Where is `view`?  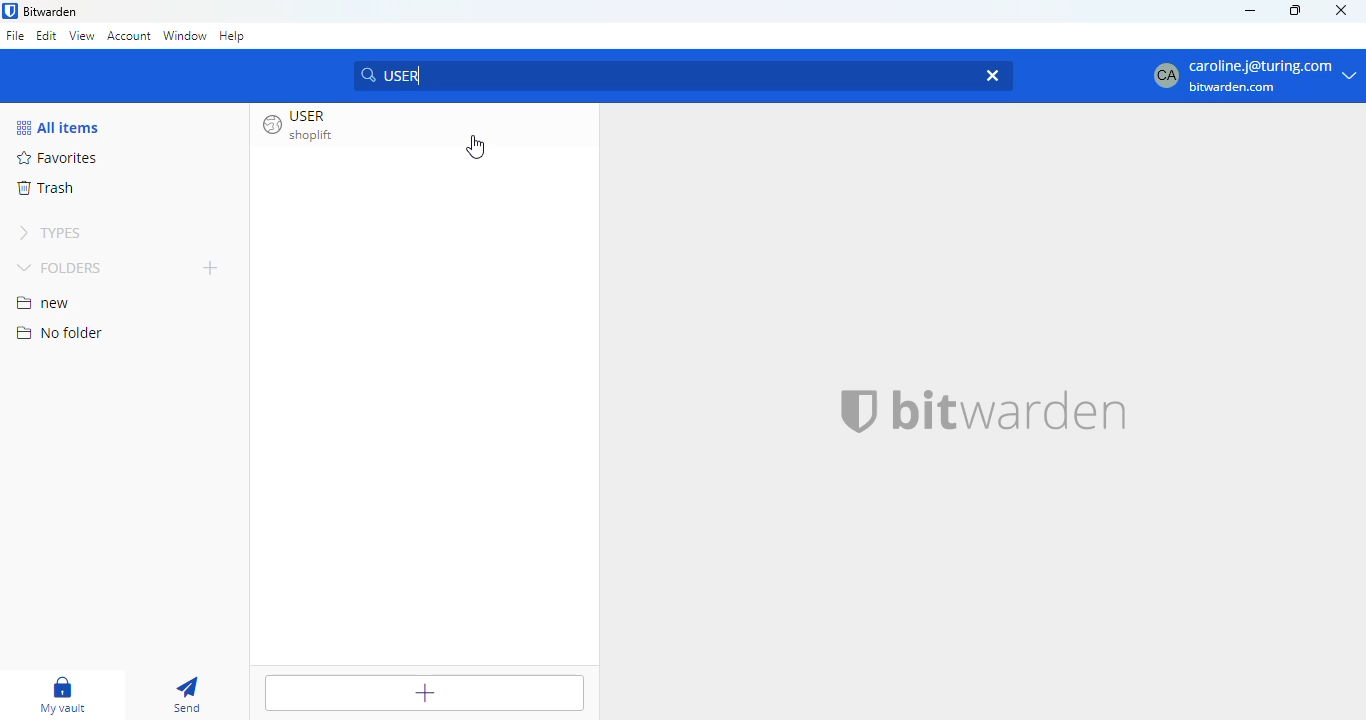 view is located at coordinates (82, 35).